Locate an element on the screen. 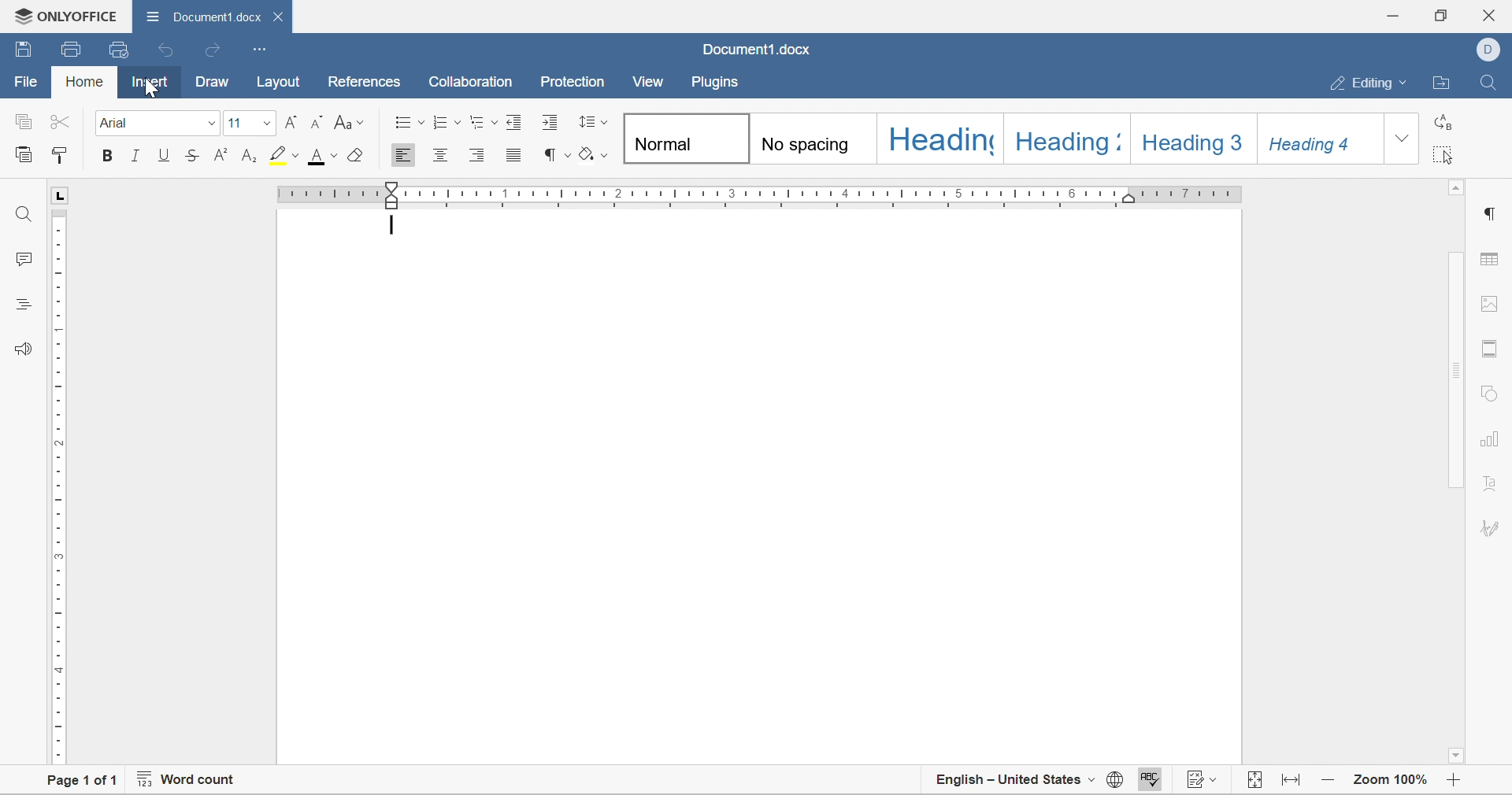 Image resolution: width=1512 pixels, height=795 pixels. Shading is located at coordinates (593, 154).